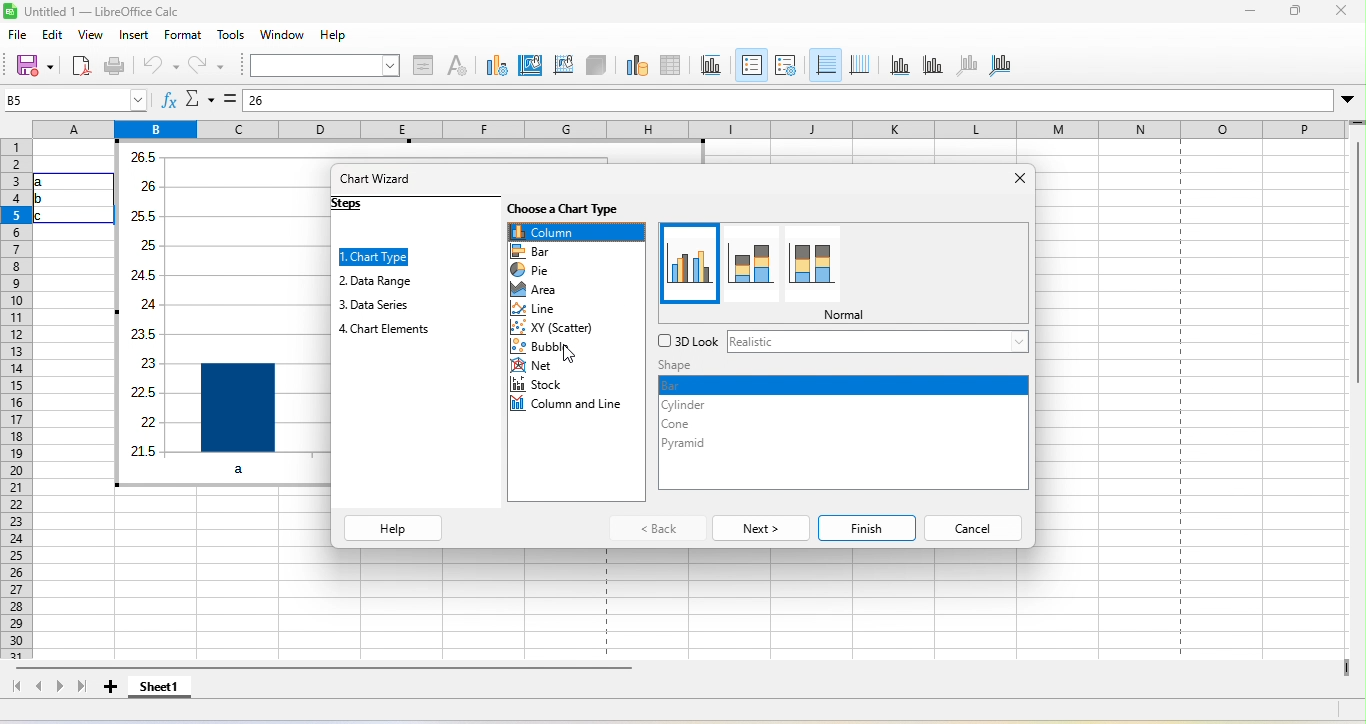 The width and height of the screenshot is (1366, 724). What do you see at coordinates (556, 367) in the screenshot?
I see `net` at bounding box center [556, 367].